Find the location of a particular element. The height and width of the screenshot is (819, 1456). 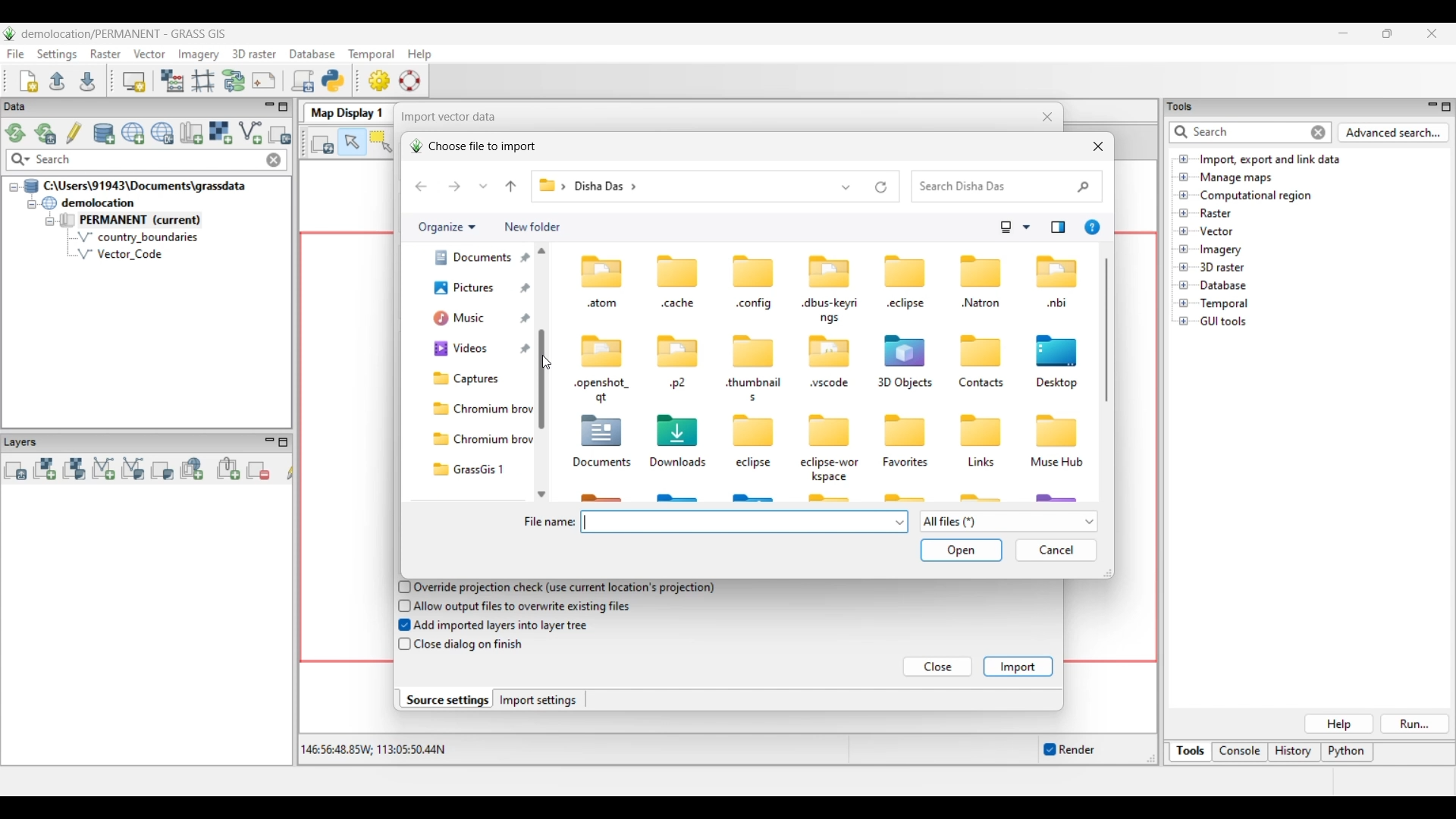

Import is located at coordinates (1018, 667).